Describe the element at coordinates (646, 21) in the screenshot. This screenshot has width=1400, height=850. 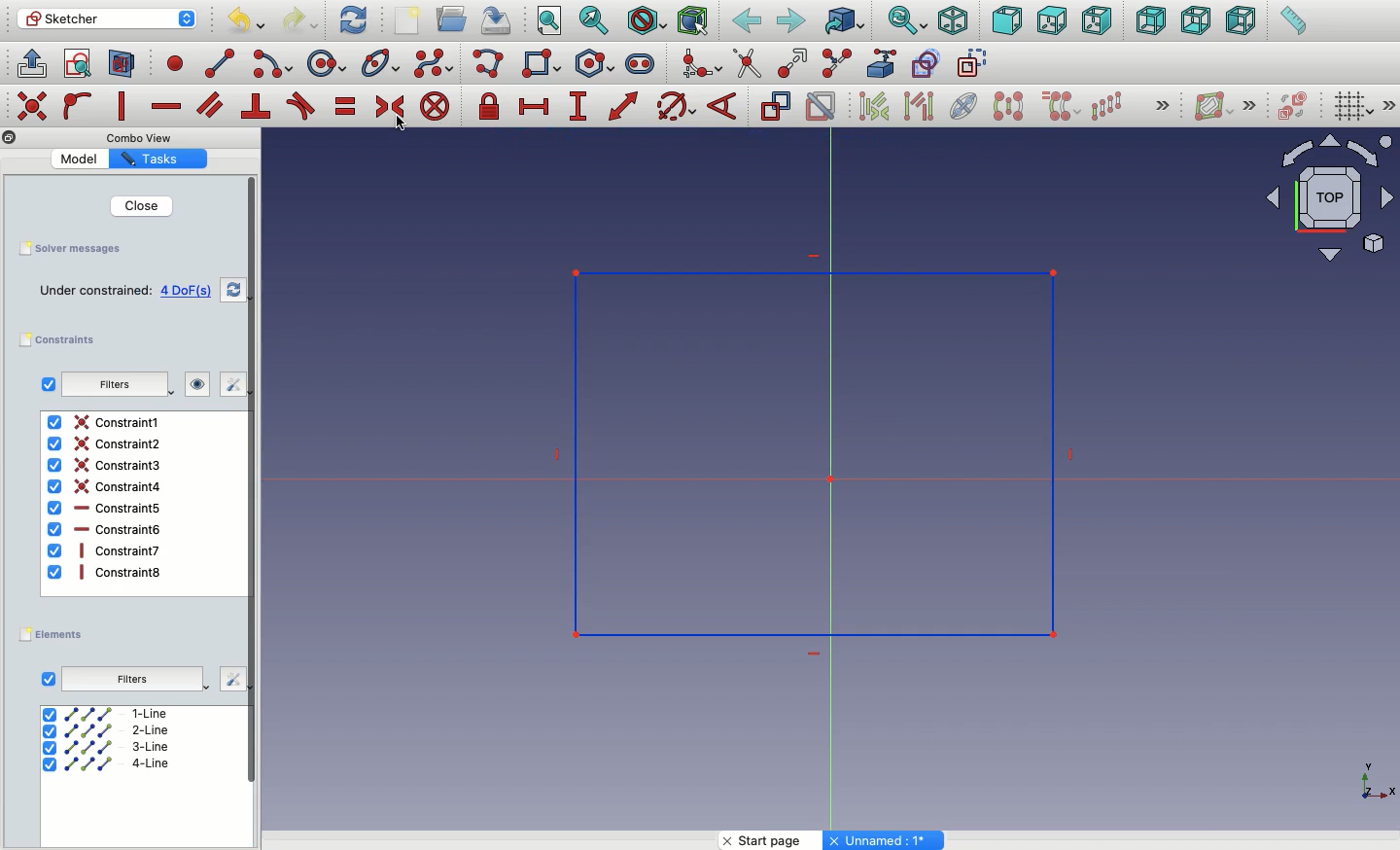
I see `Draw style` at that location.